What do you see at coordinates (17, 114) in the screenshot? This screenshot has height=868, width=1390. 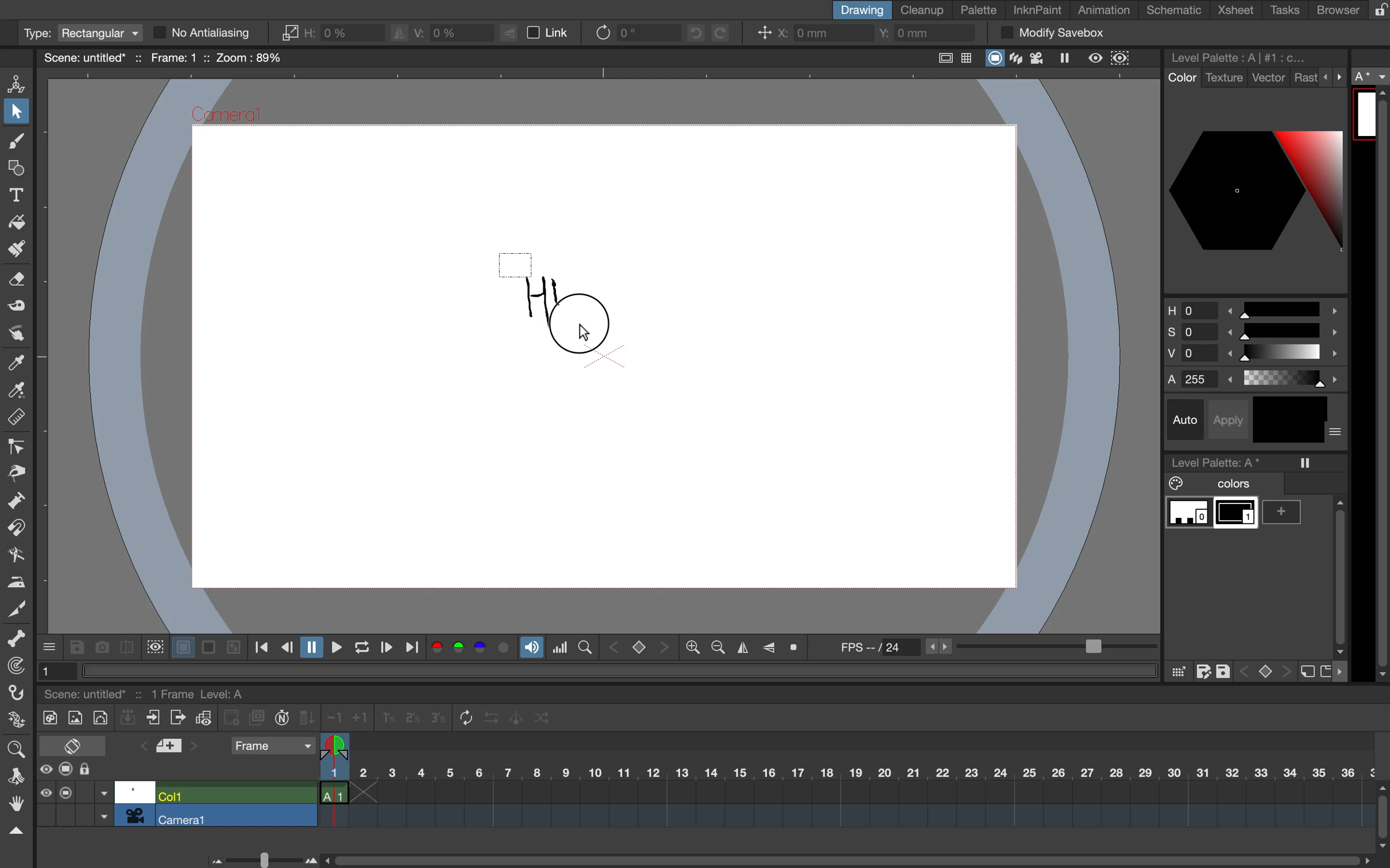 I see `selection tool` at bounding box center [17, 114].